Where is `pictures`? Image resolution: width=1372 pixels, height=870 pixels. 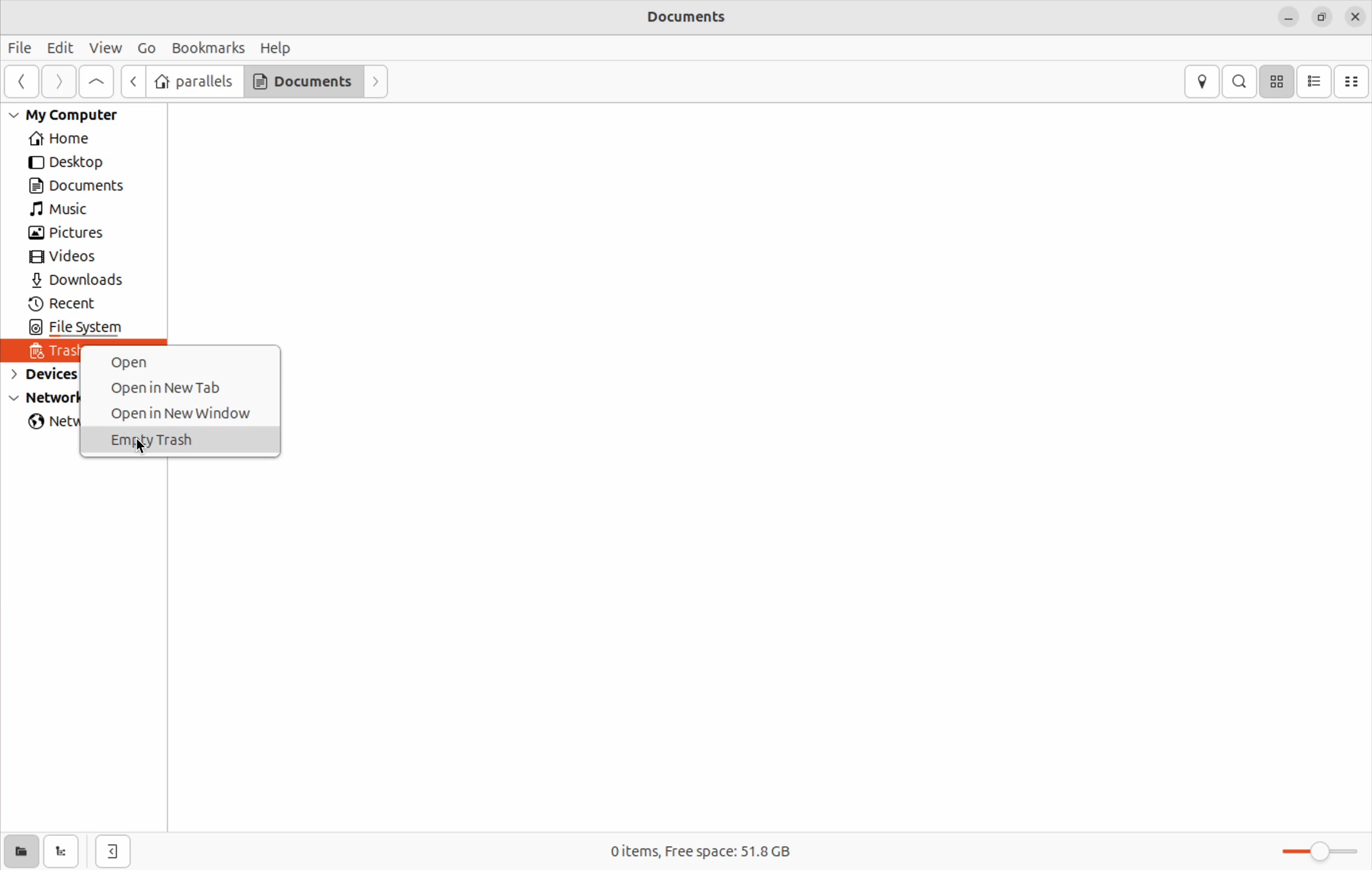 pictures is located at coordinates (72, 234).